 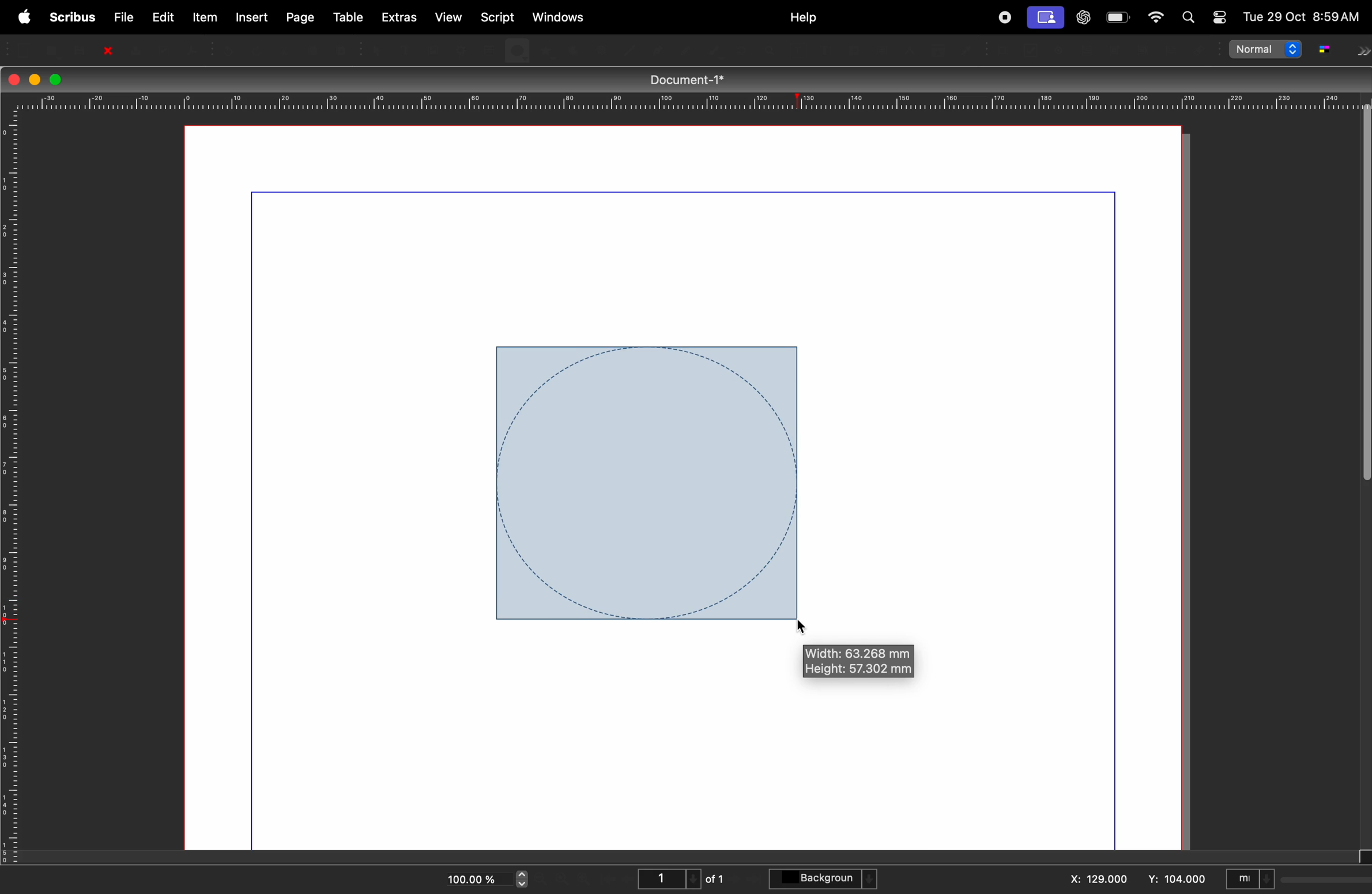 What do you see at coordinates (717, 50) in the screenshot?
I see `freehand line` at bounding box center [717, 50].